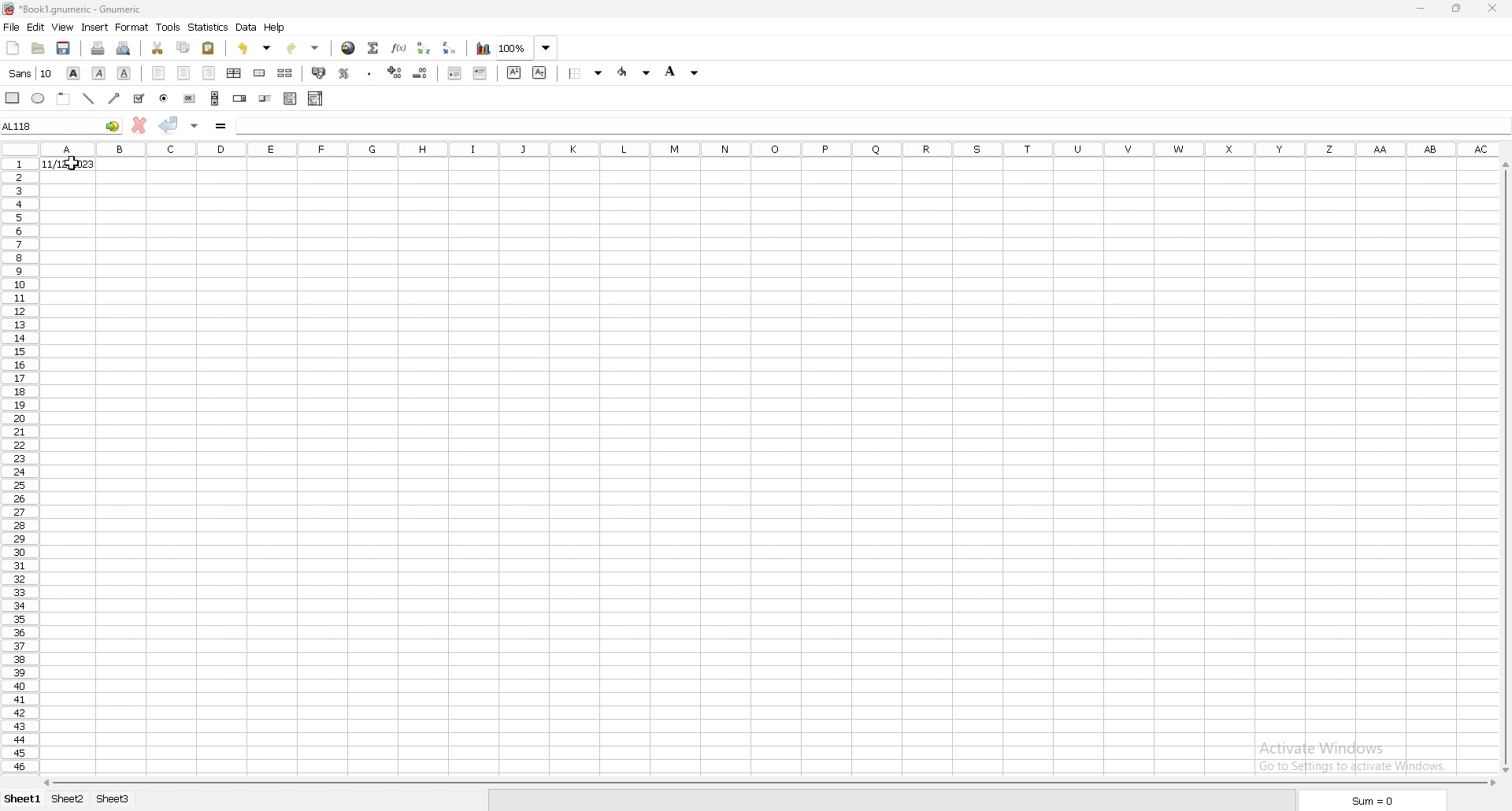 This screenshot has height=811, width=1512. Describe the element at coordinates (87, 98) in the screenshot. I see `line` at that location.